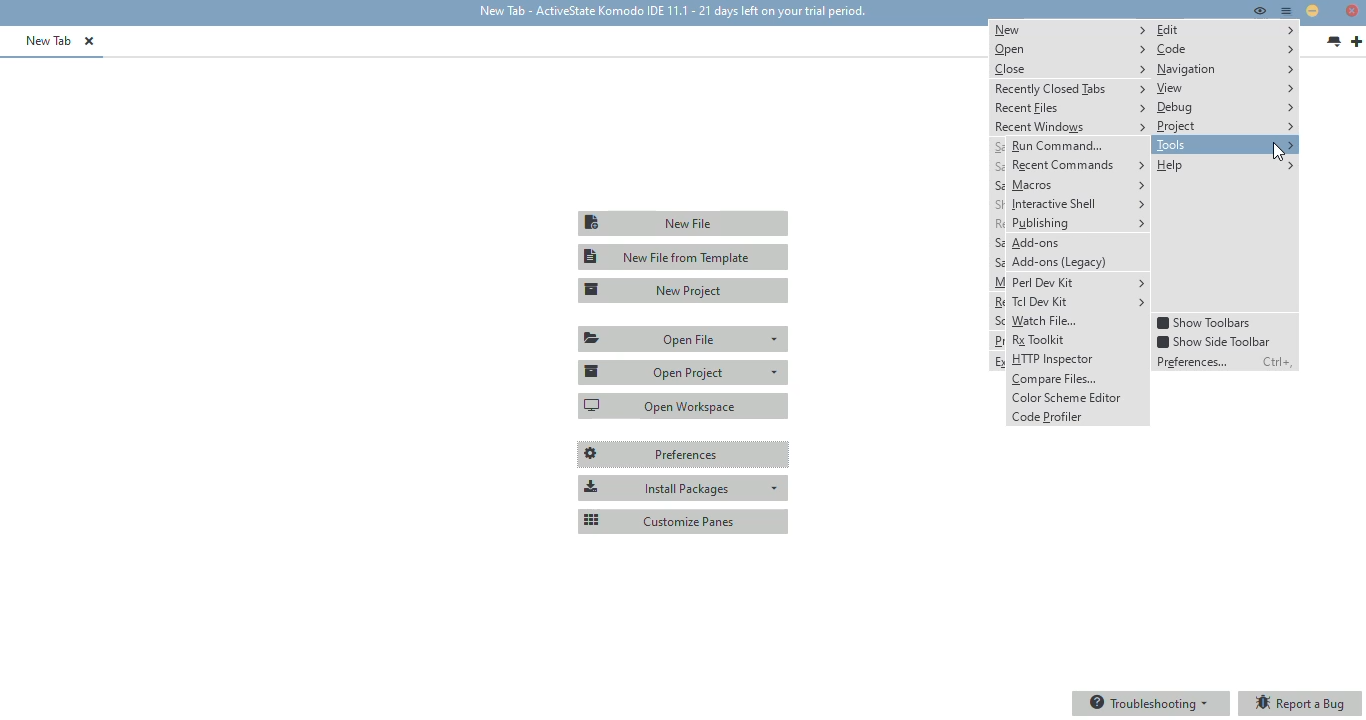 The image size is (1366, 720). What do you see at coordinates (683, 488) in the screenshot?
I see `install packages` at bounding box center [683, 488].